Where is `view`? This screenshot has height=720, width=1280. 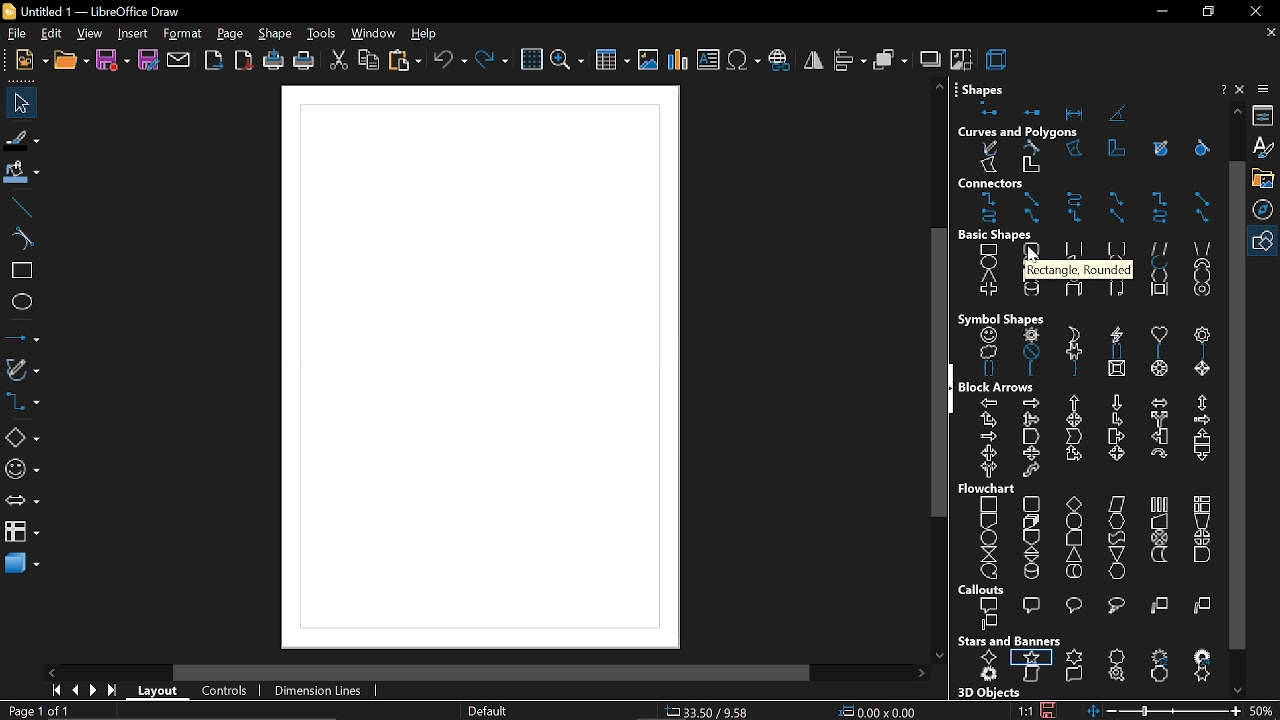
view is located at coordinates (90, 35).